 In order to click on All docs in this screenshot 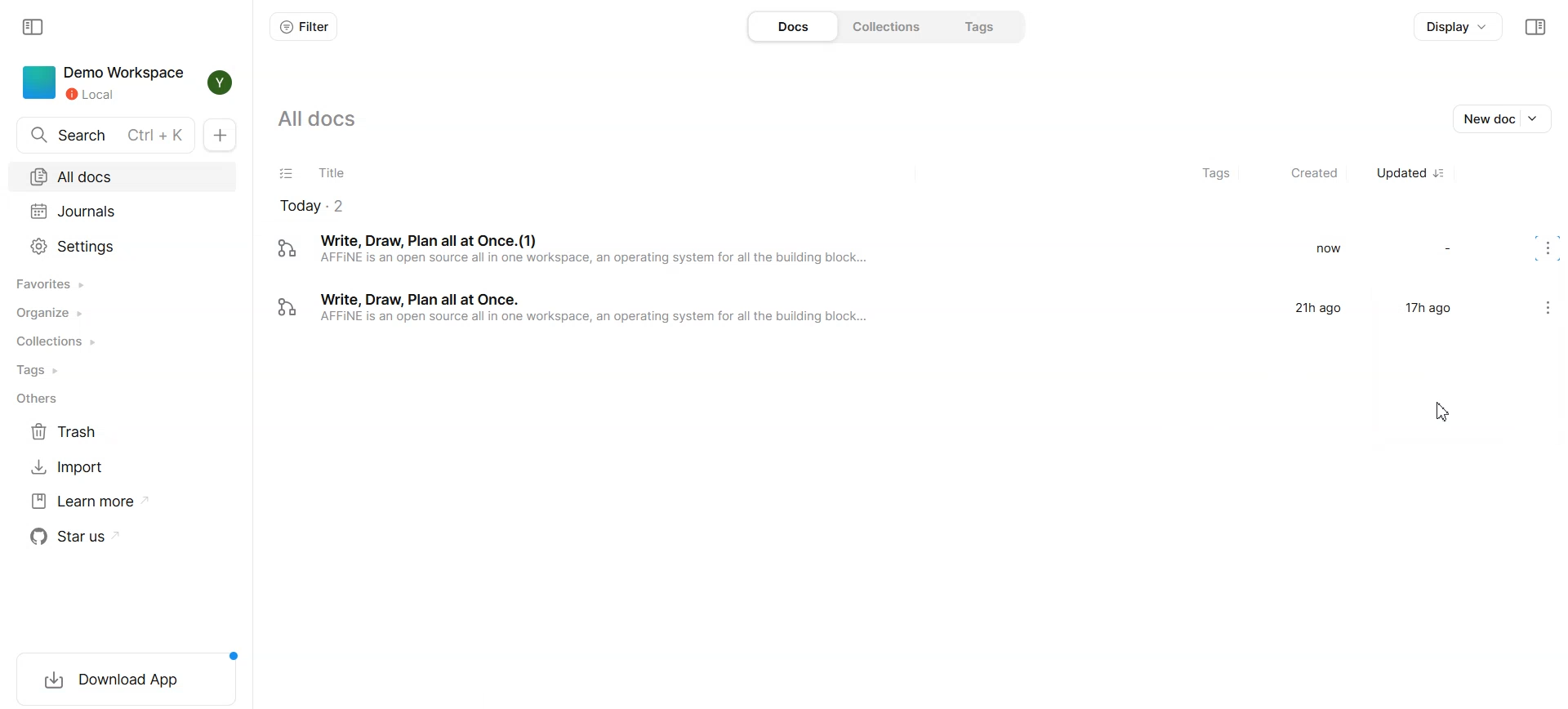, I will do `click(342, 118)`.